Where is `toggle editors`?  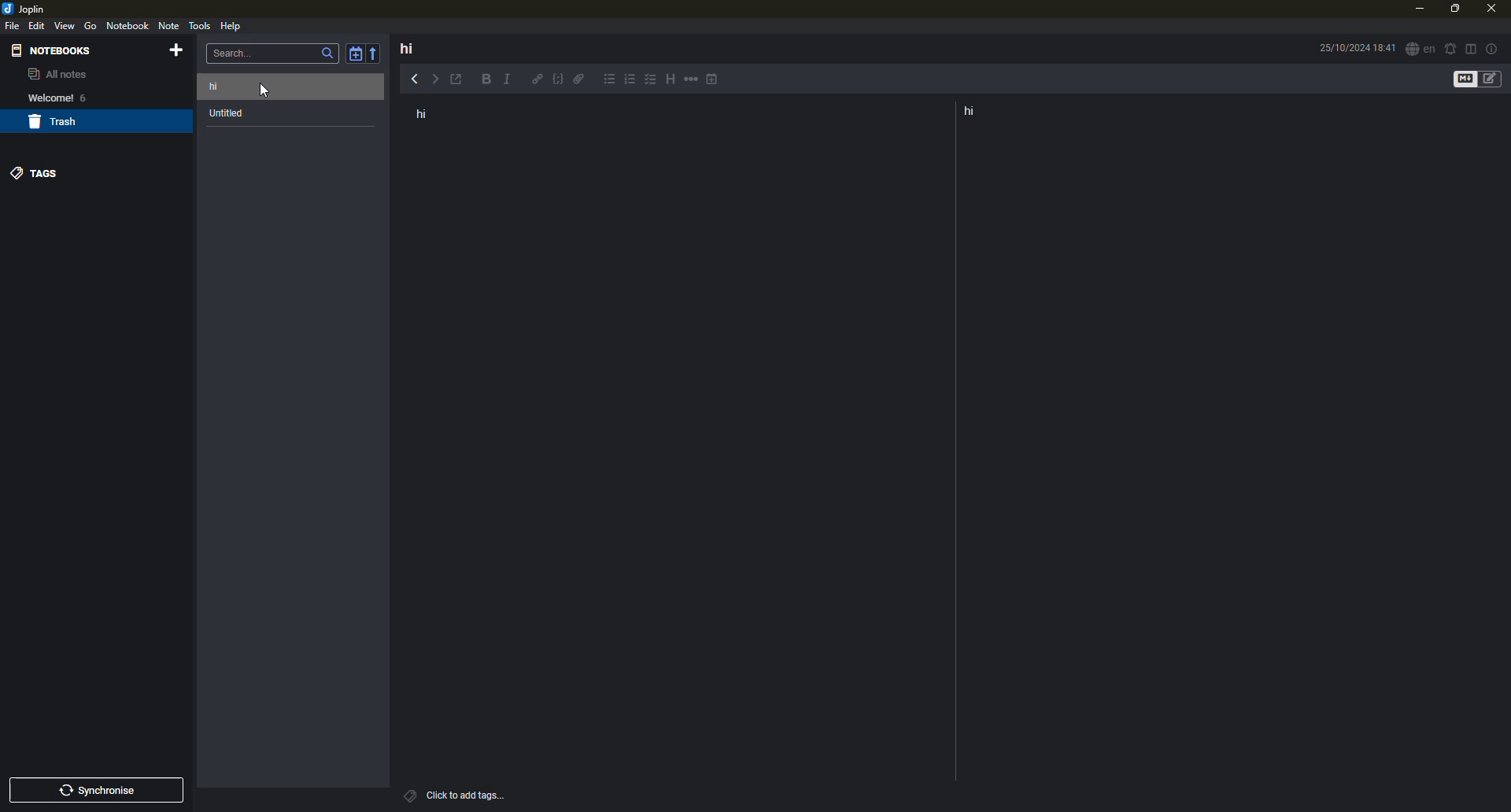
toggle editors is located at coordinates (1494, 79).